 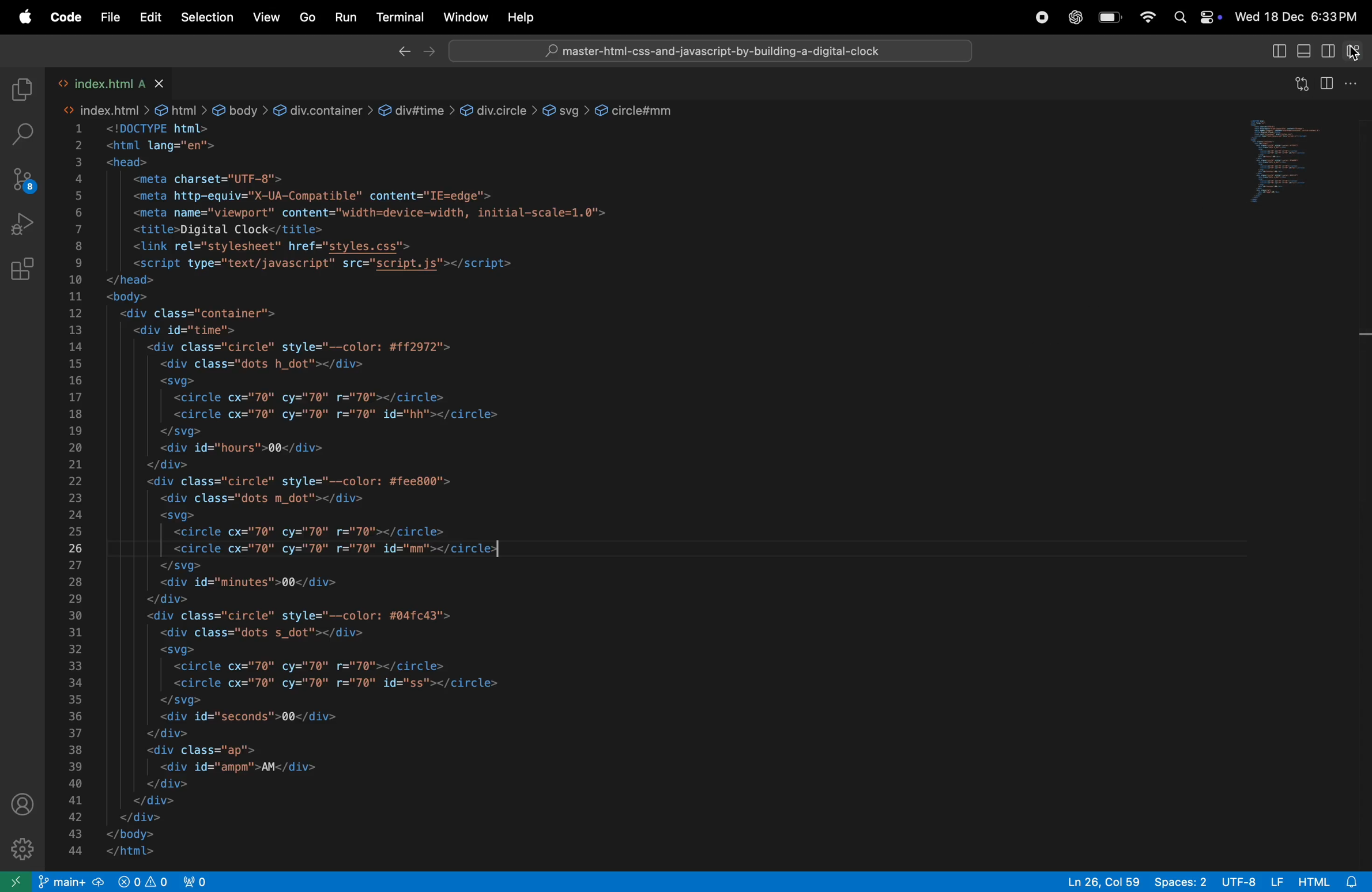 What do you see at coordinates (74, 493) in the screenshot?
I see `line number` at bounding box center [74, 493].